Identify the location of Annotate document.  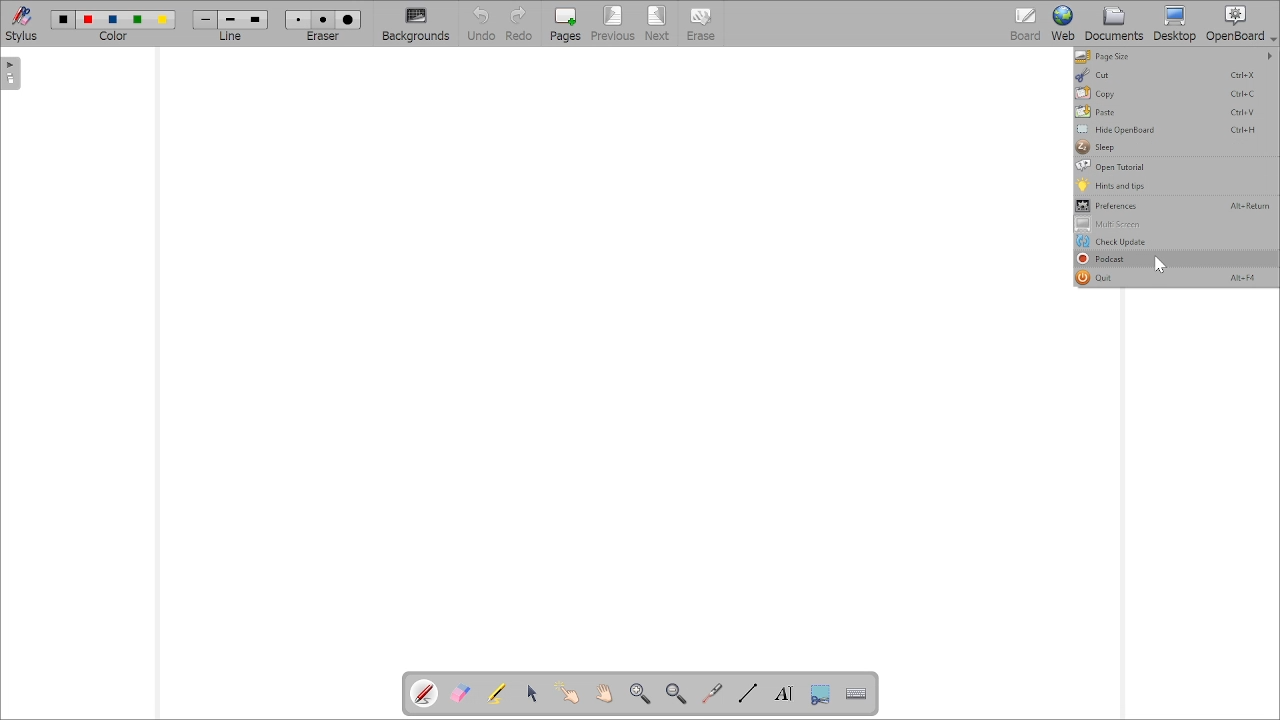
(423, 694).